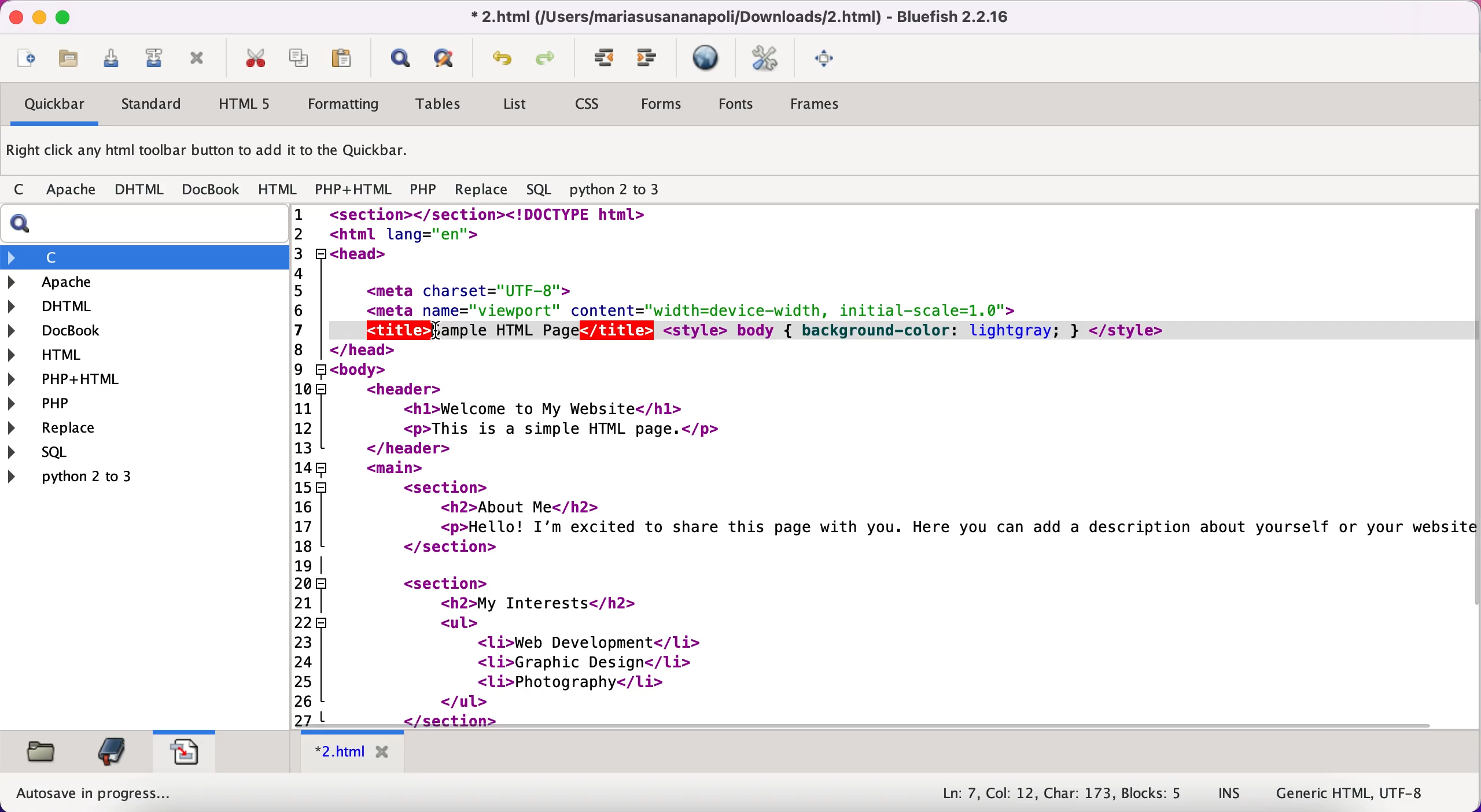 This screenshot has width=1481, height=812. What do you see at coordinates (818, 104) in the screenshot?
I see `frames` at bounding box center [818, 104].